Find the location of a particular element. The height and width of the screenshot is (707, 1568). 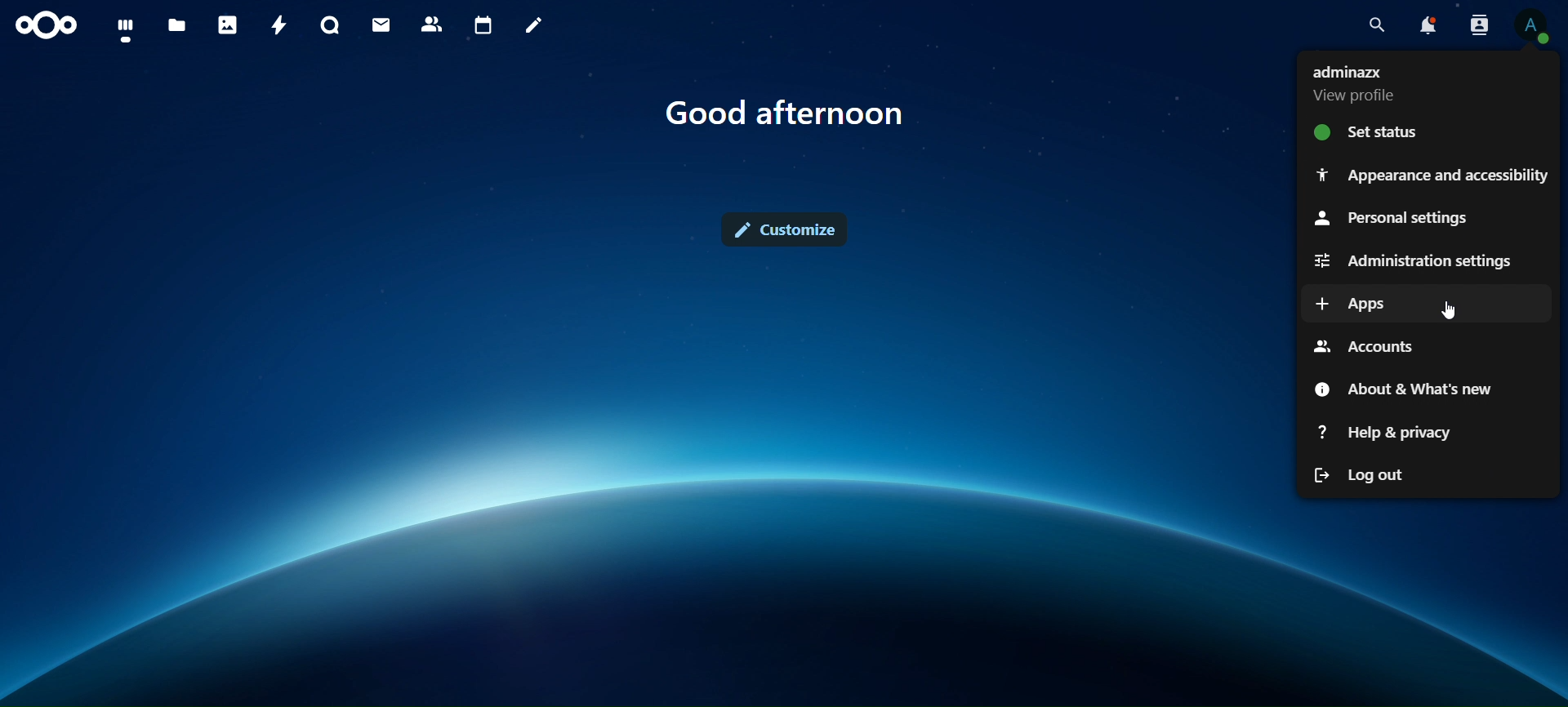

icon is located at coordinates (43, 23).